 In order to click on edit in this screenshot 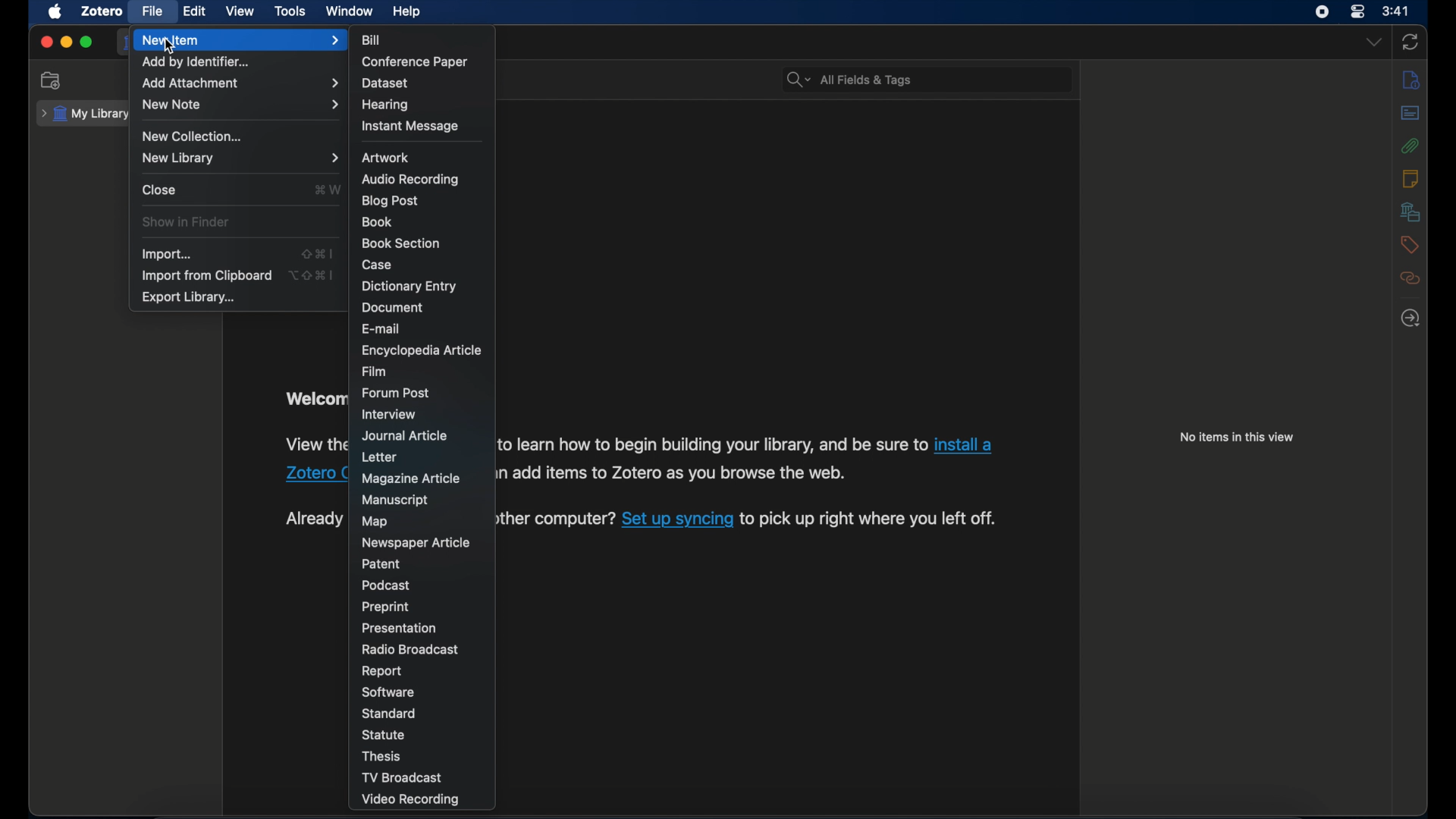, I will do `click(196, 12)`.